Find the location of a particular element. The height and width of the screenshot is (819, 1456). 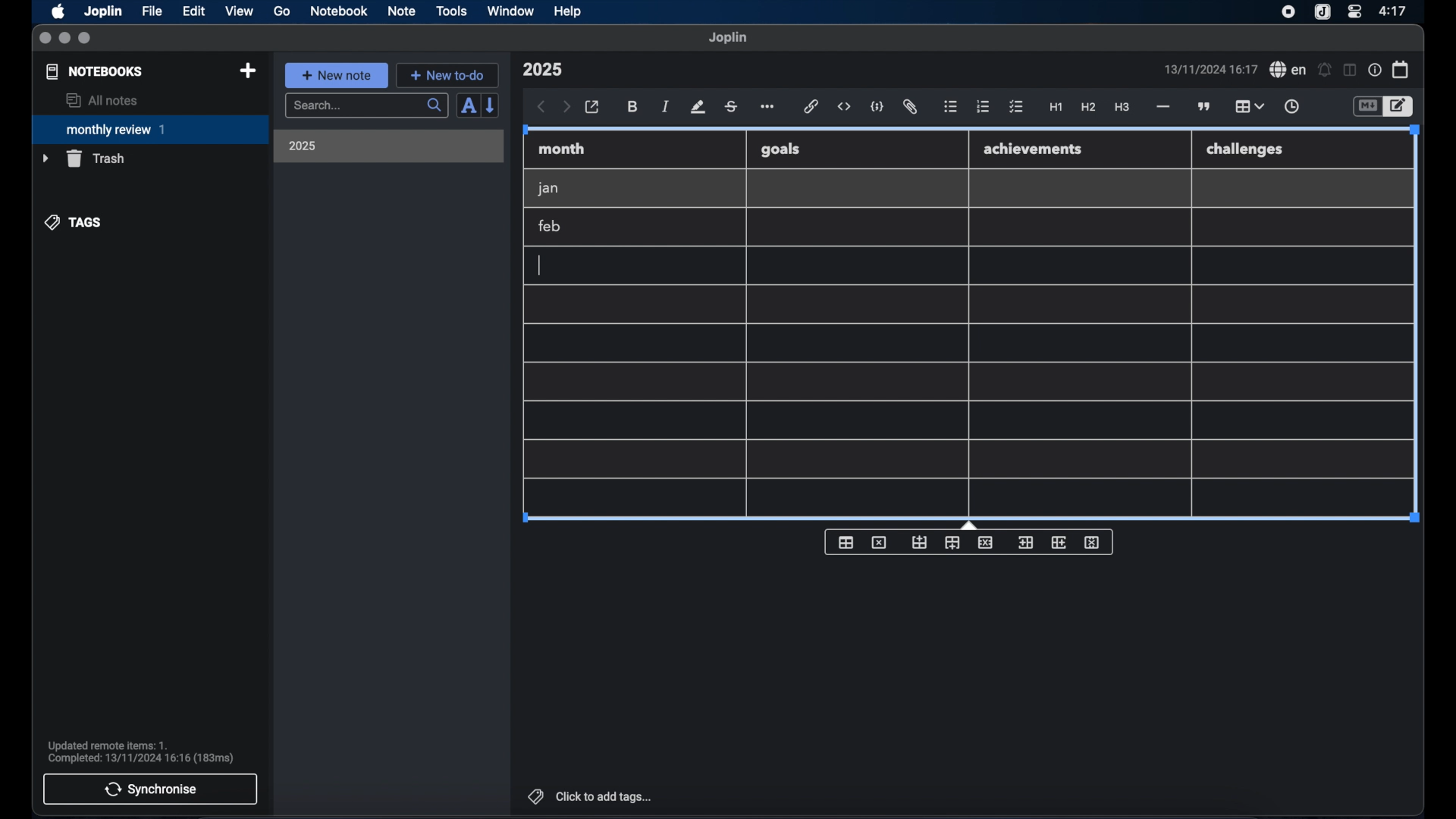

block quotes is located at coordinates (1205, 107).